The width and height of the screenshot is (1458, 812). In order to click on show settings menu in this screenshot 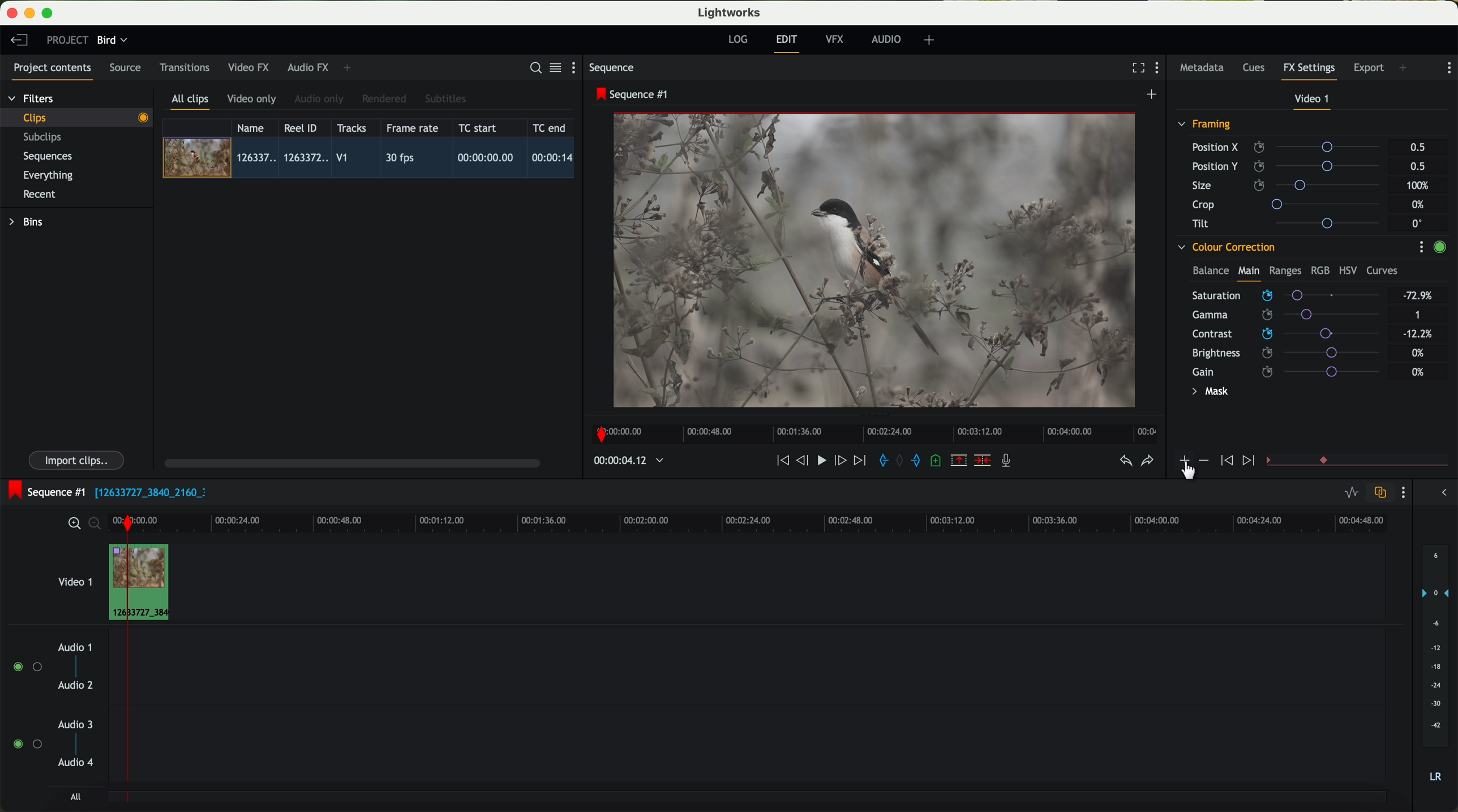, I will do `click(1421, 247)`.